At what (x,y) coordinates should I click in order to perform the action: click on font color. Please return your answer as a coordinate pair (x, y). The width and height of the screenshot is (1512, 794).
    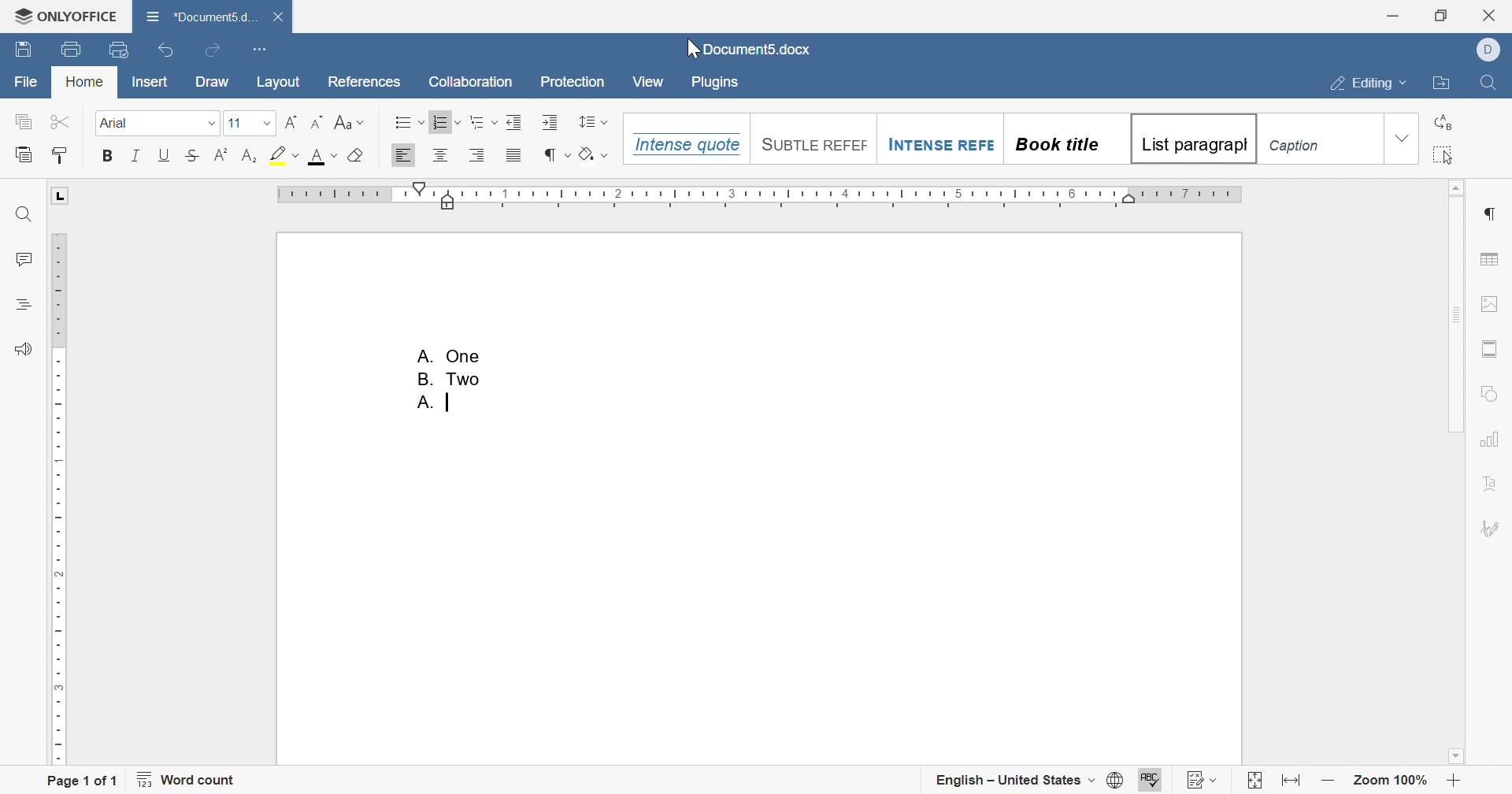
    Looking at the image, I should click on (324, 157).